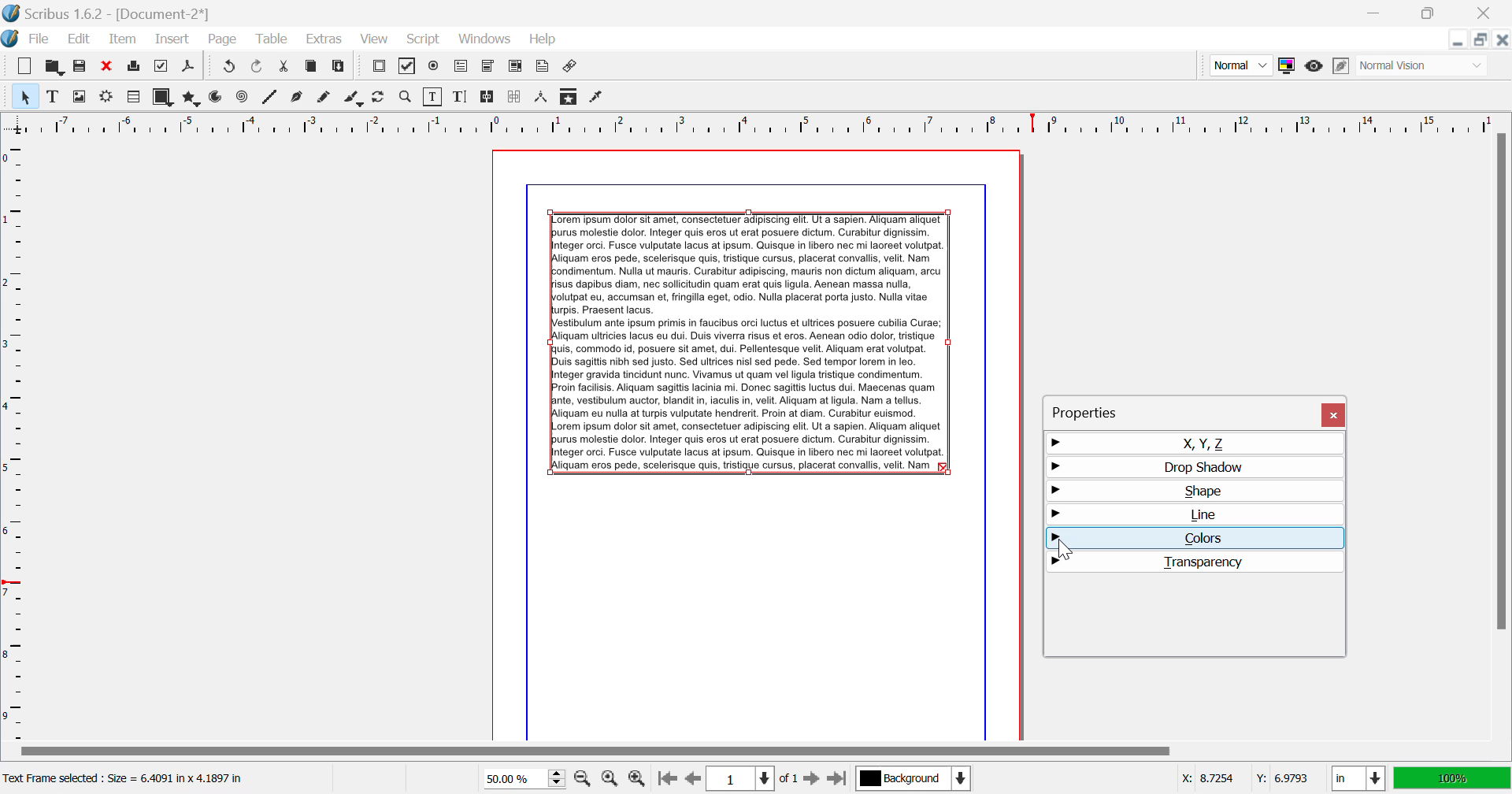 The image size is (1512, 794). I want to click on Calligraphic Line, so click(354, 99).